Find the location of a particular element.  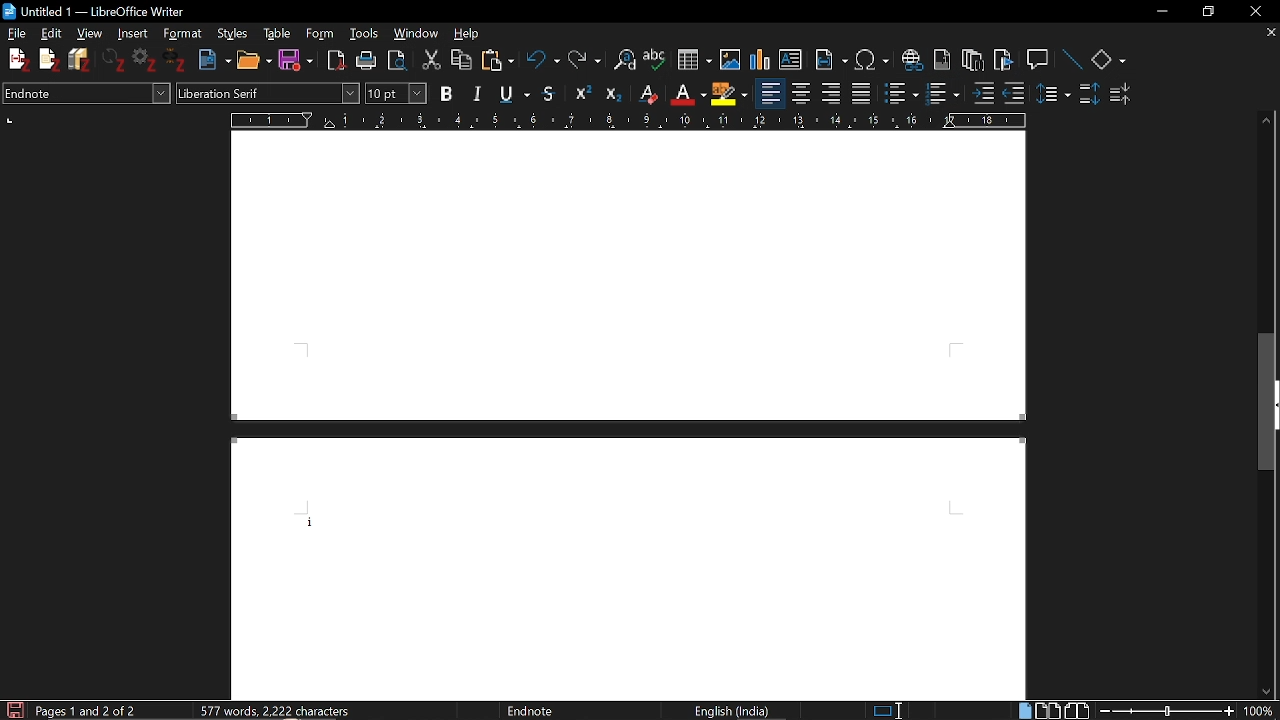

Format is located at coordinates (182, 33).